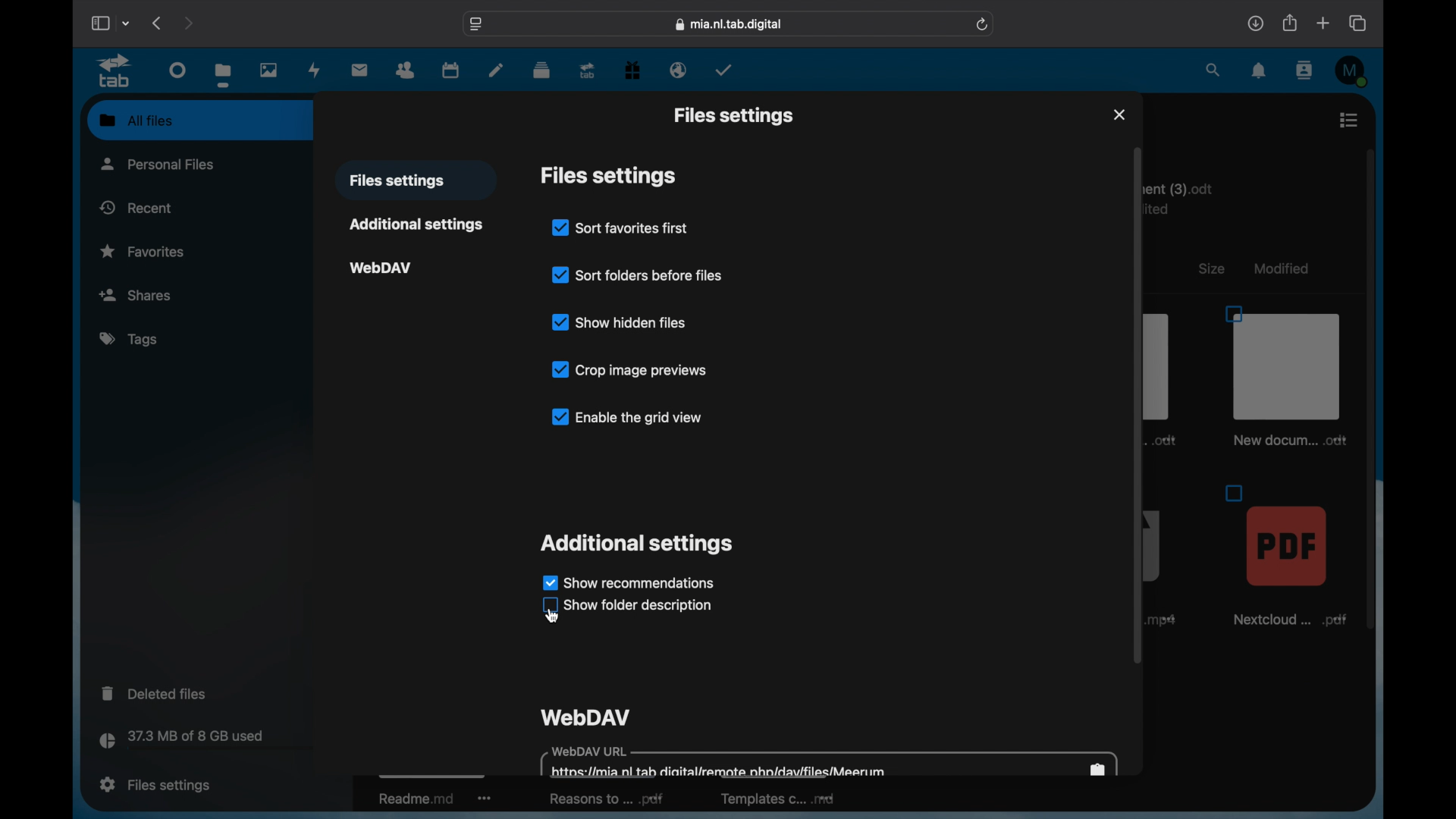 The image size is (1456, 819). What do you see at coordinates (477, 23) in the screenshot?
I see `website settings` at bounding box center [477, 23].